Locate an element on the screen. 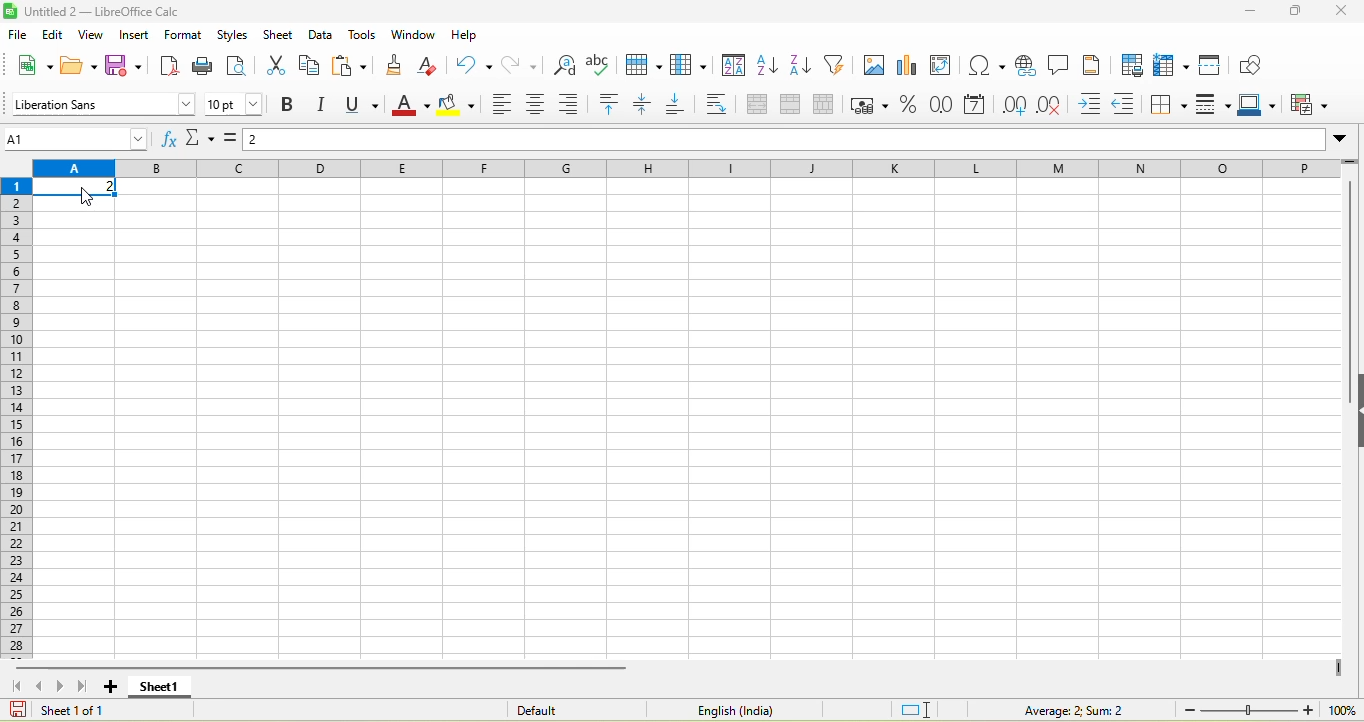 The image size is (1364, 722). format as date is located at coordinates (980, 106).